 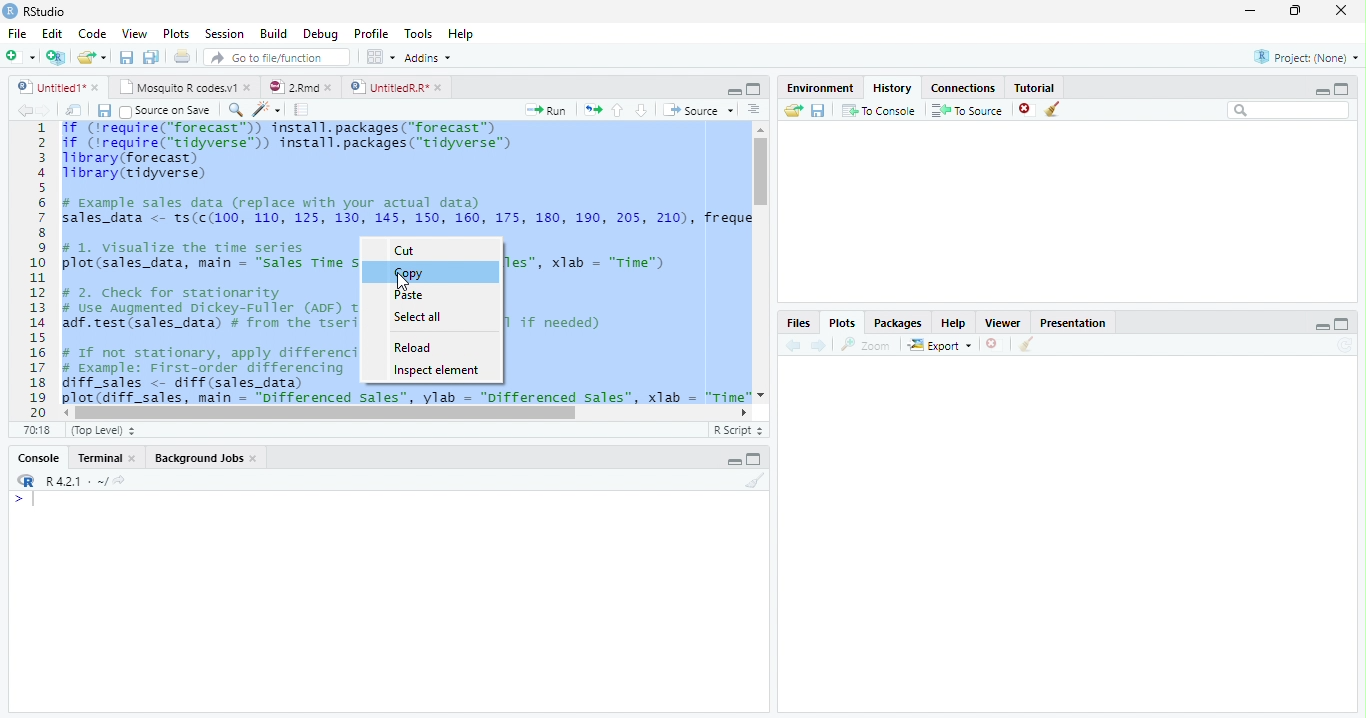 What do you see at coordinates (372, 35) in the screenshot?
I see `Profile` at bounding box center [372, 35].